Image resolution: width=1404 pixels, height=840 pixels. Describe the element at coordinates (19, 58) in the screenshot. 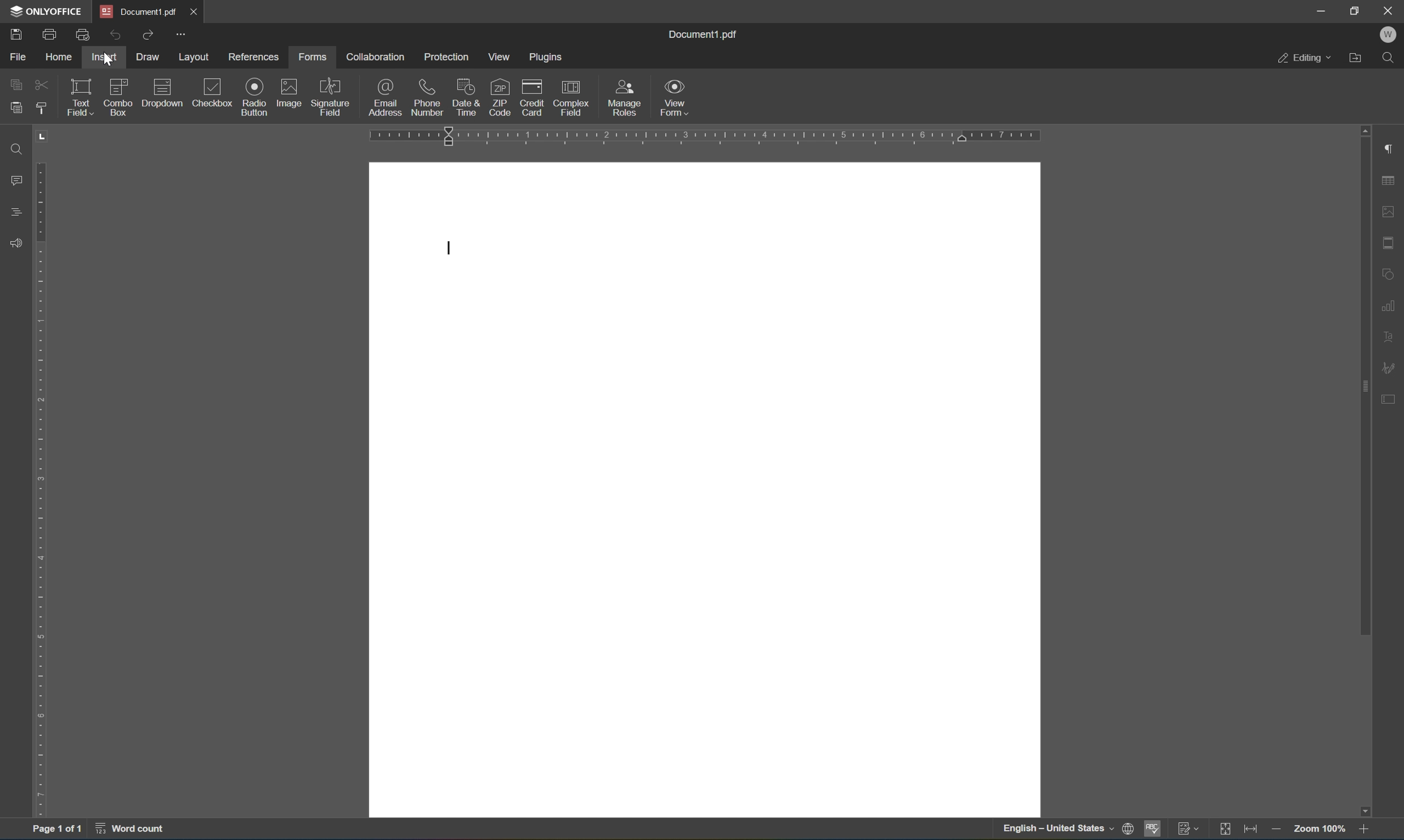

I see `File` at that location.